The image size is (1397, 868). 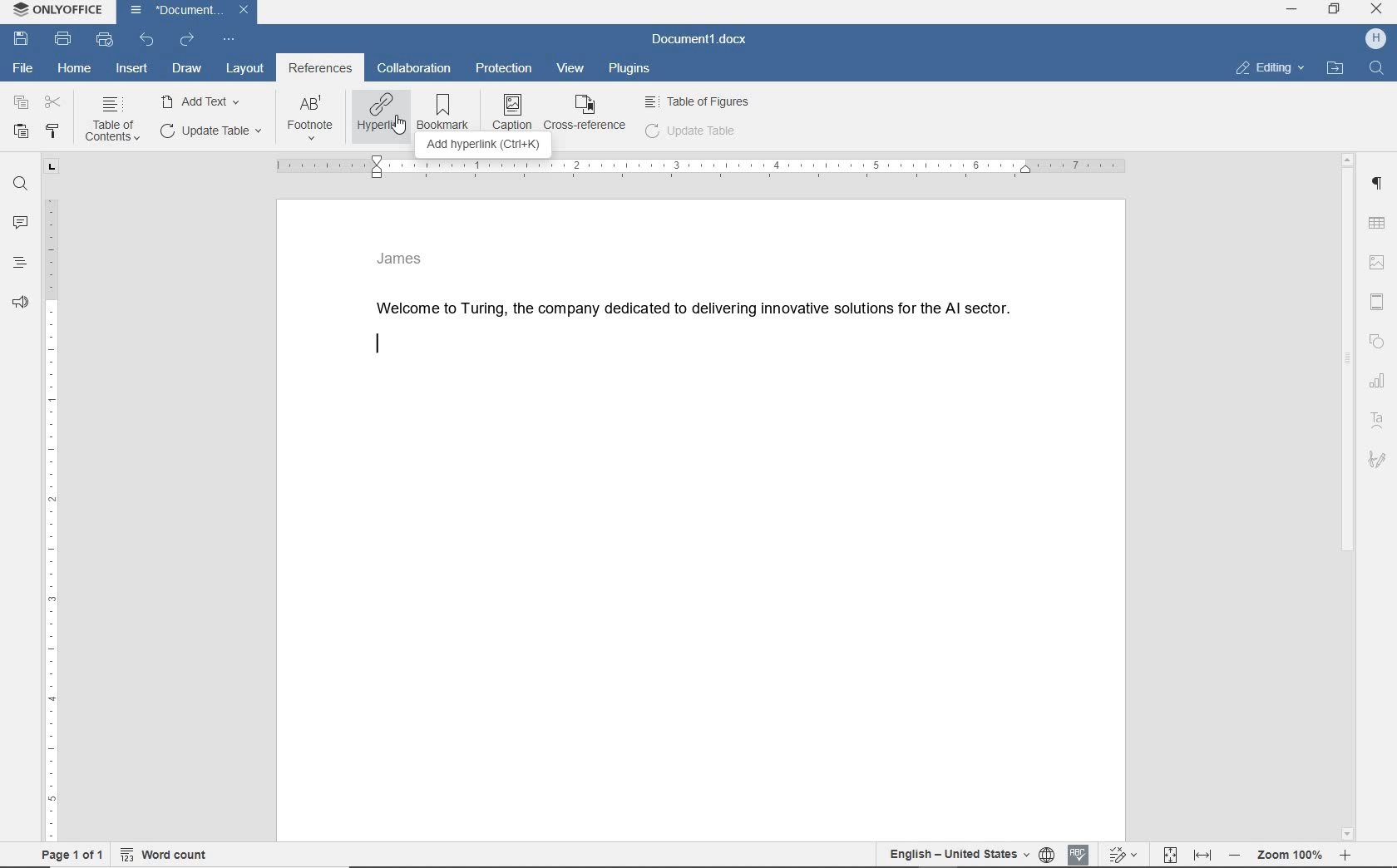 I want to click on Welcome to Turing, the company dedicated to delivering innovative solutions for the Al sector., so click(x=699, y=304).